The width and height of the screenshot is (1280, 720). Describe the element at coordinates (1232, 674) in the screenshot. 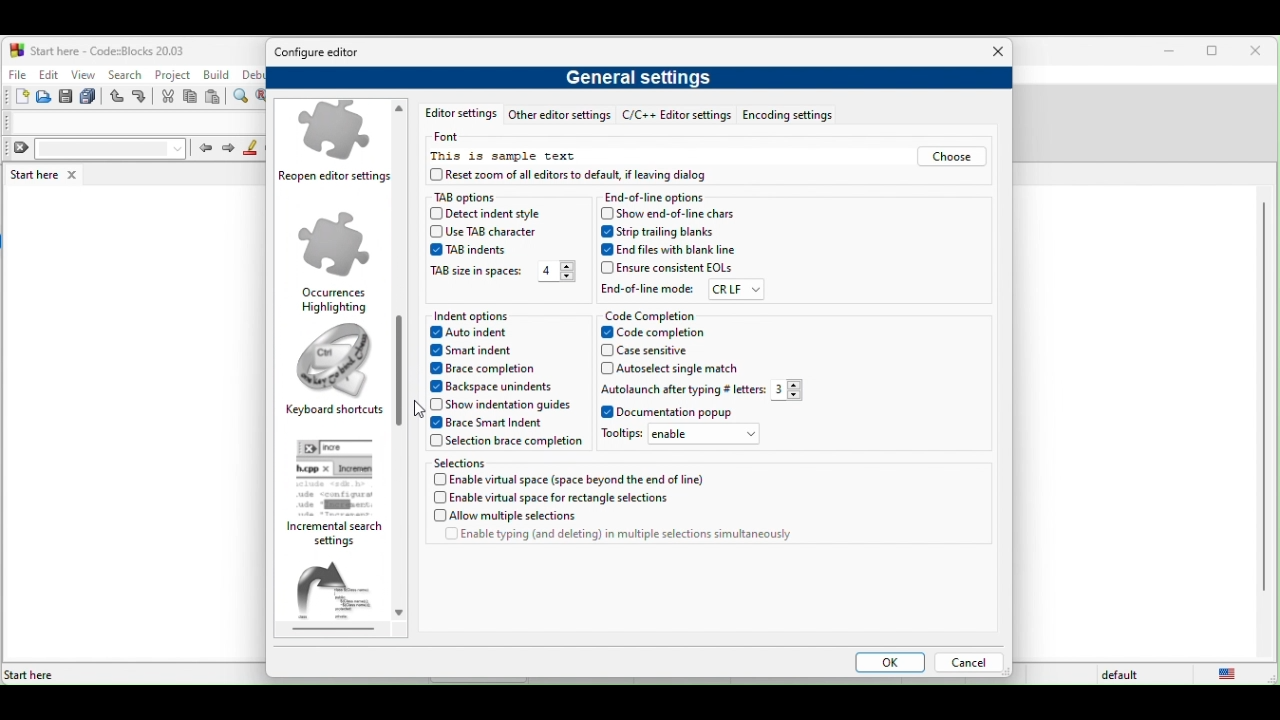

I see `united state` at that location.